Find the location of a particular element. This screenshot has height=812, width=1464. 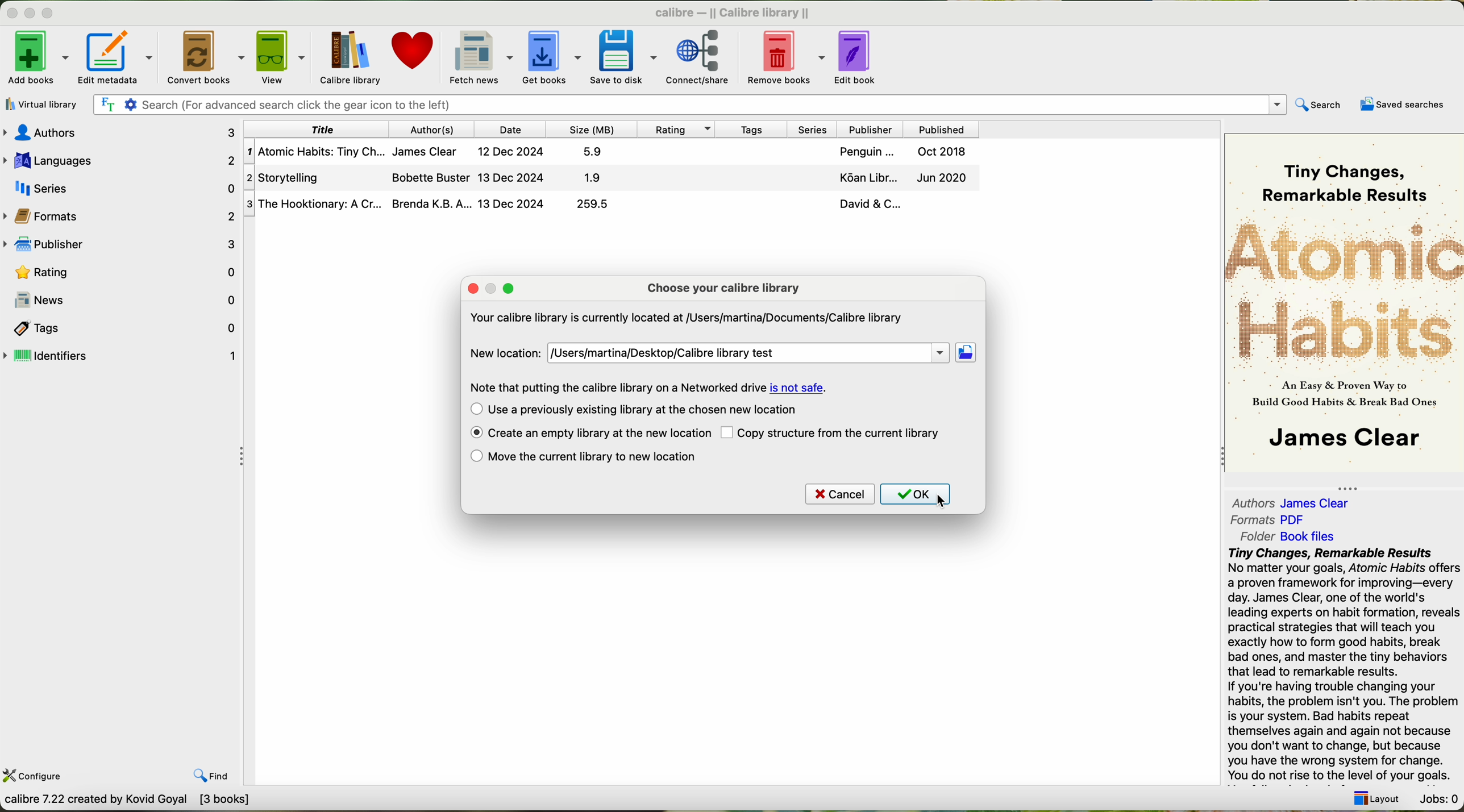

donate is located at coordinates (414, 56).